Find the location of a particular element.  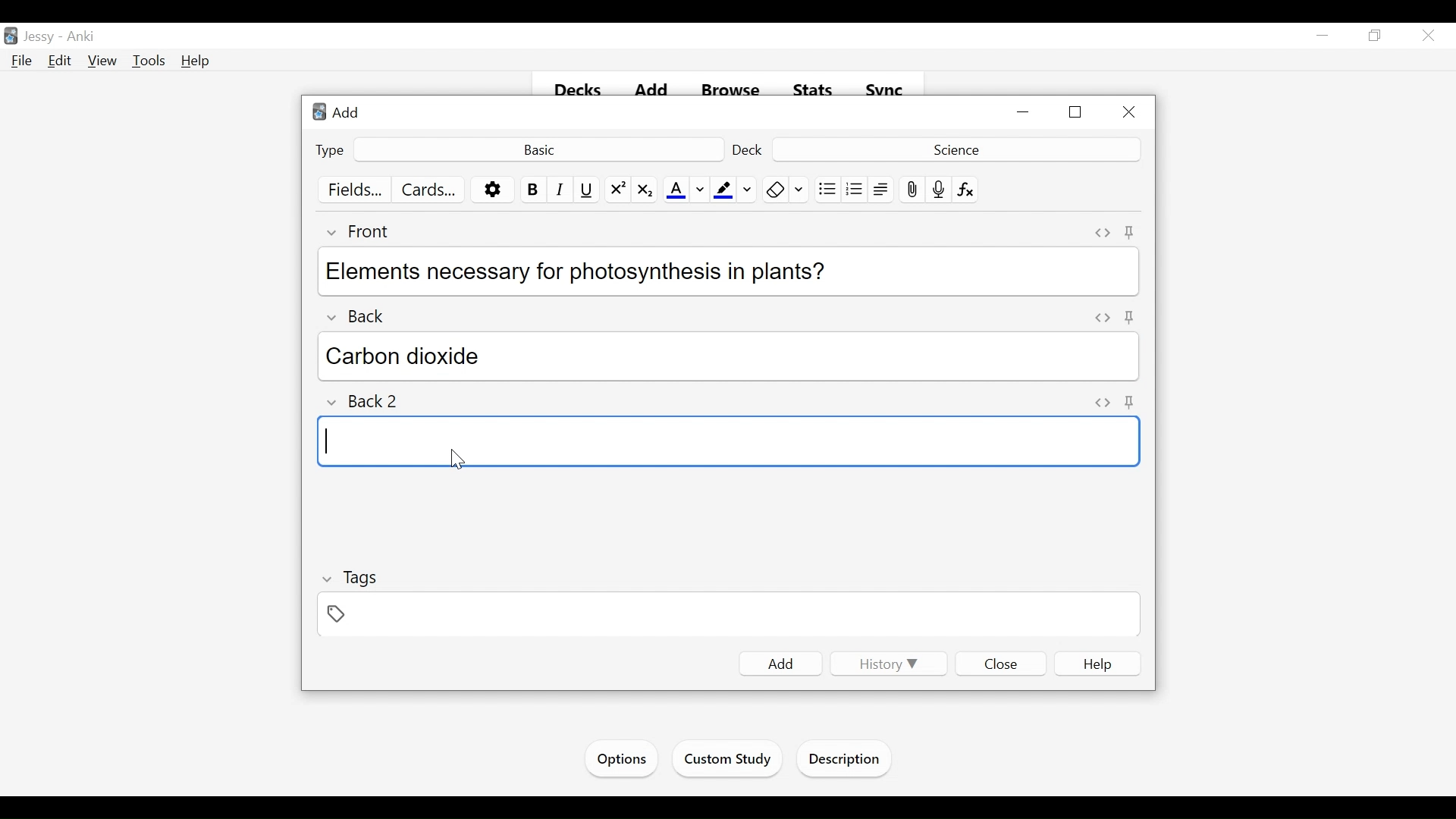

Anki Desktop Icon is located at coordinates (11, 36).